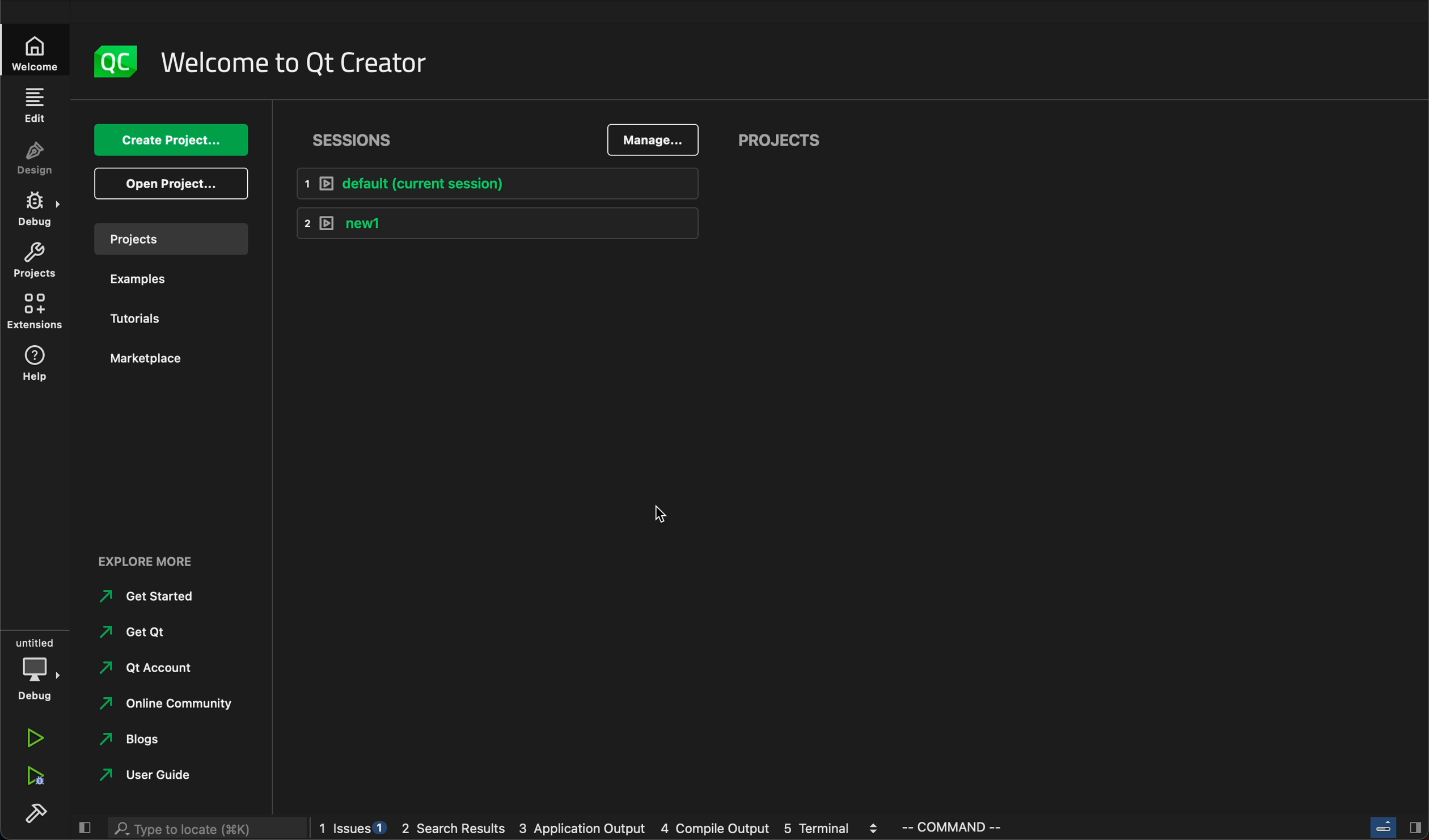  What do you see at coordinates (35, 261) in the screenshot?
I see `projects` at bounding box center [35, 261].